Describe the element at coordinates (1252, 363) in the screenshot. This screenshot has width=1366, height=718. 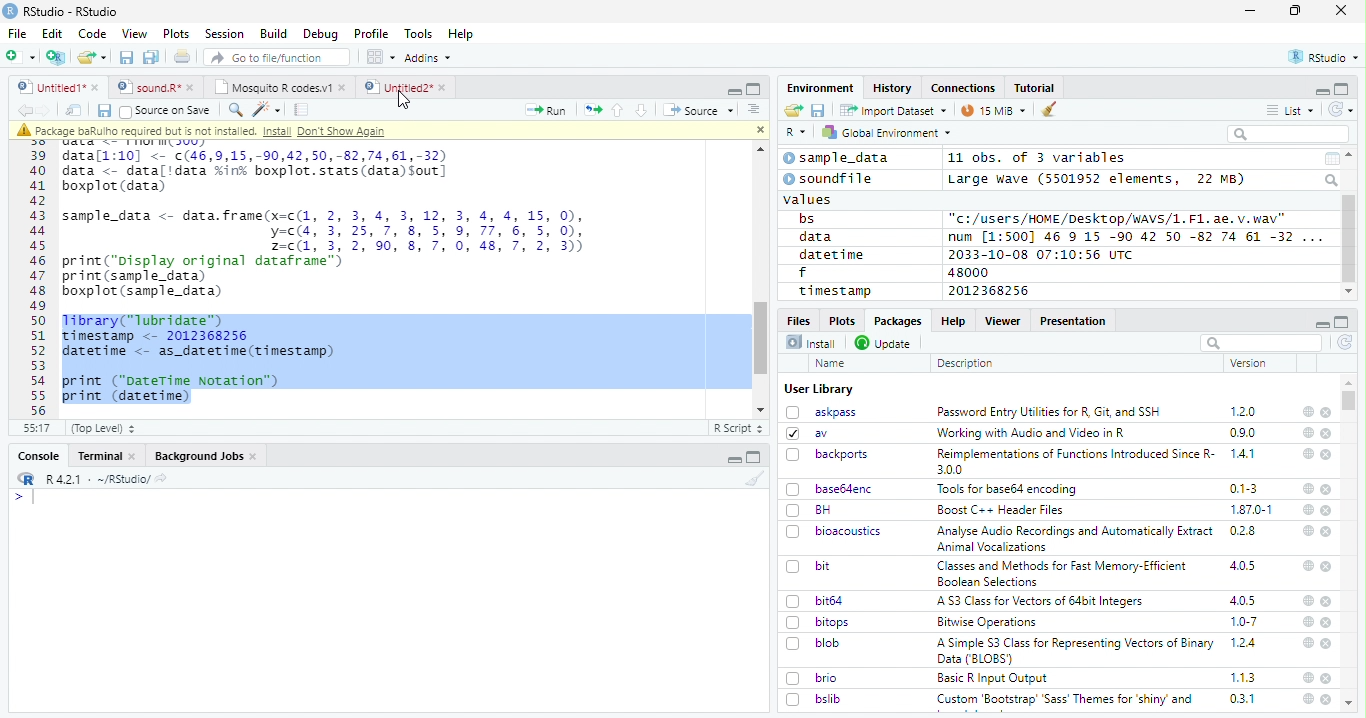
I see `Version` at that location.